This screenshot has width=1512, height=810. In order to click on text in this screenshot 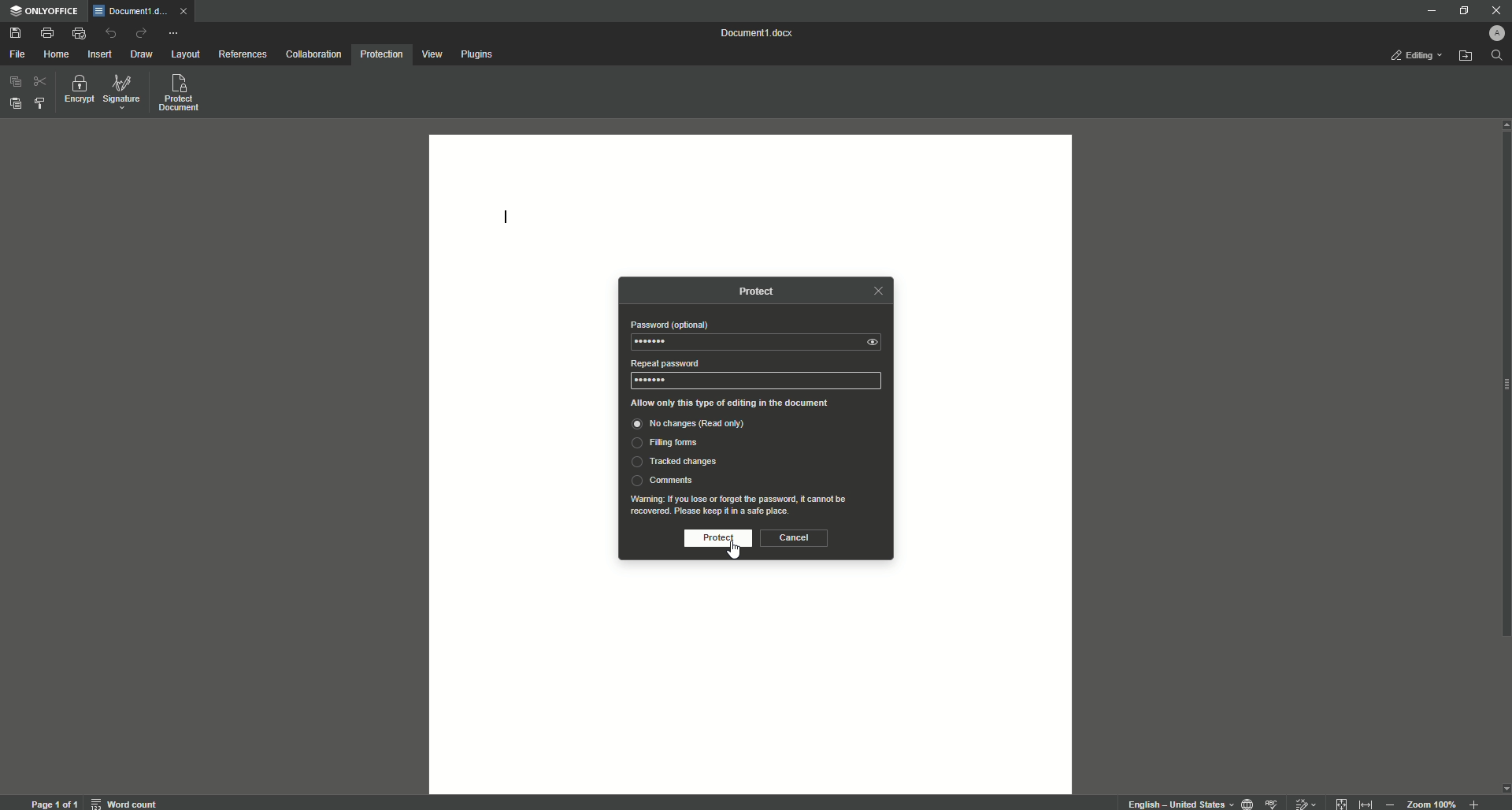, I will do `click(744, 504)`.